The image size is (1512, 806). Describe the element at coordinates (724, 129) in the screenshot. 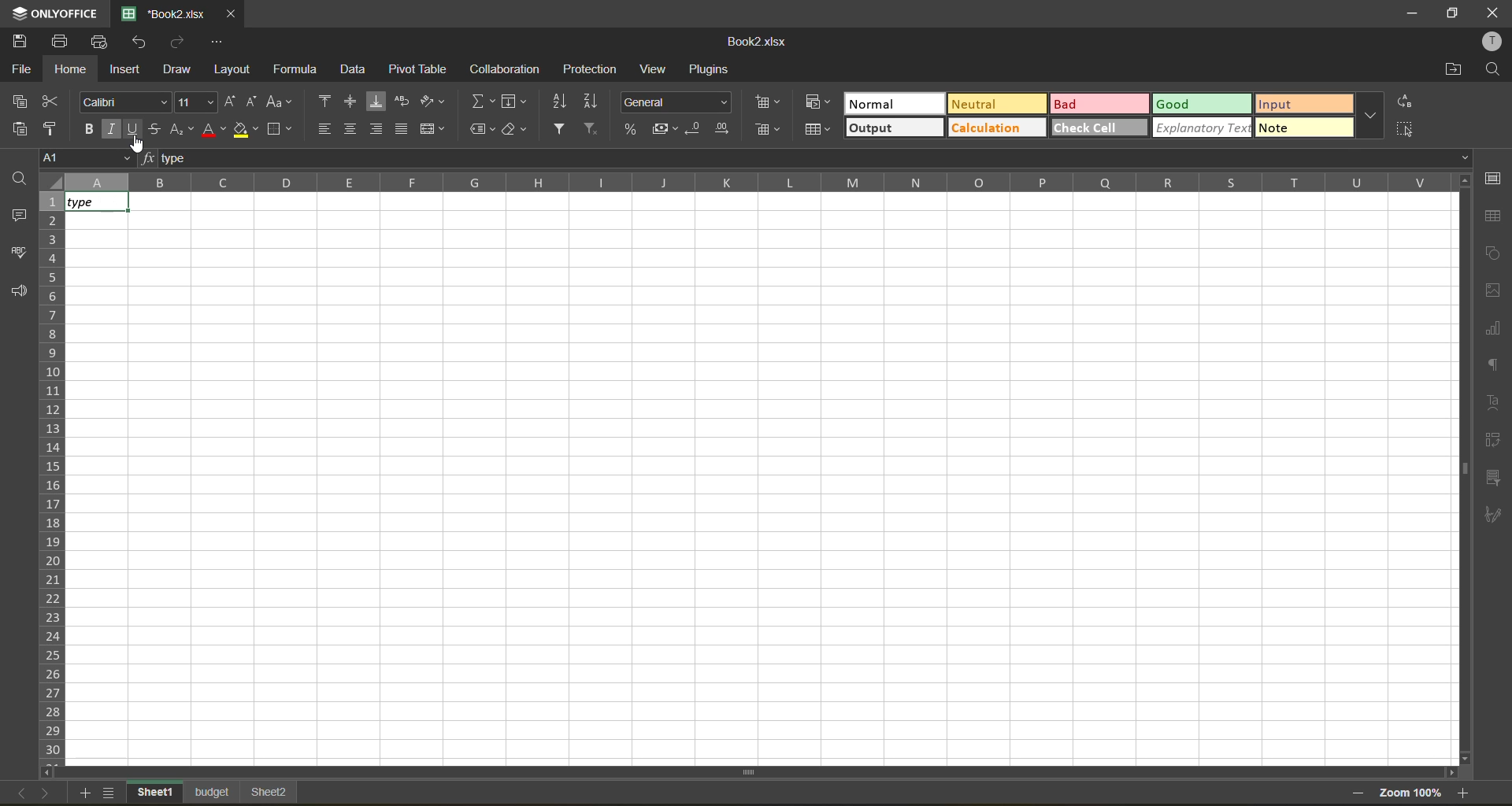

I see `increase decimal` at that location.